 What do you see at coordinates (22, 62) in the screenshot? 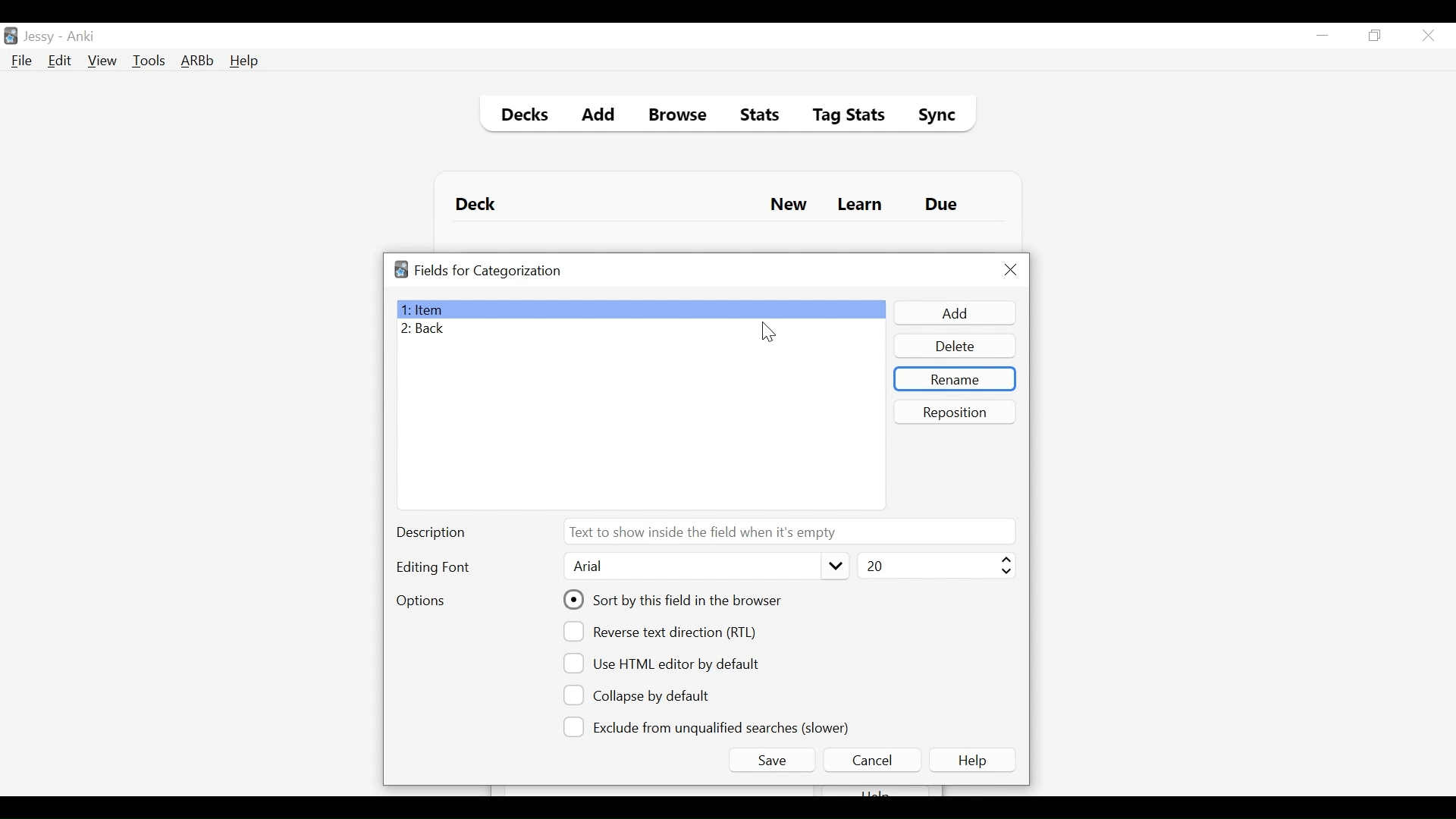
I see `File` at bounding box center [22, 62].